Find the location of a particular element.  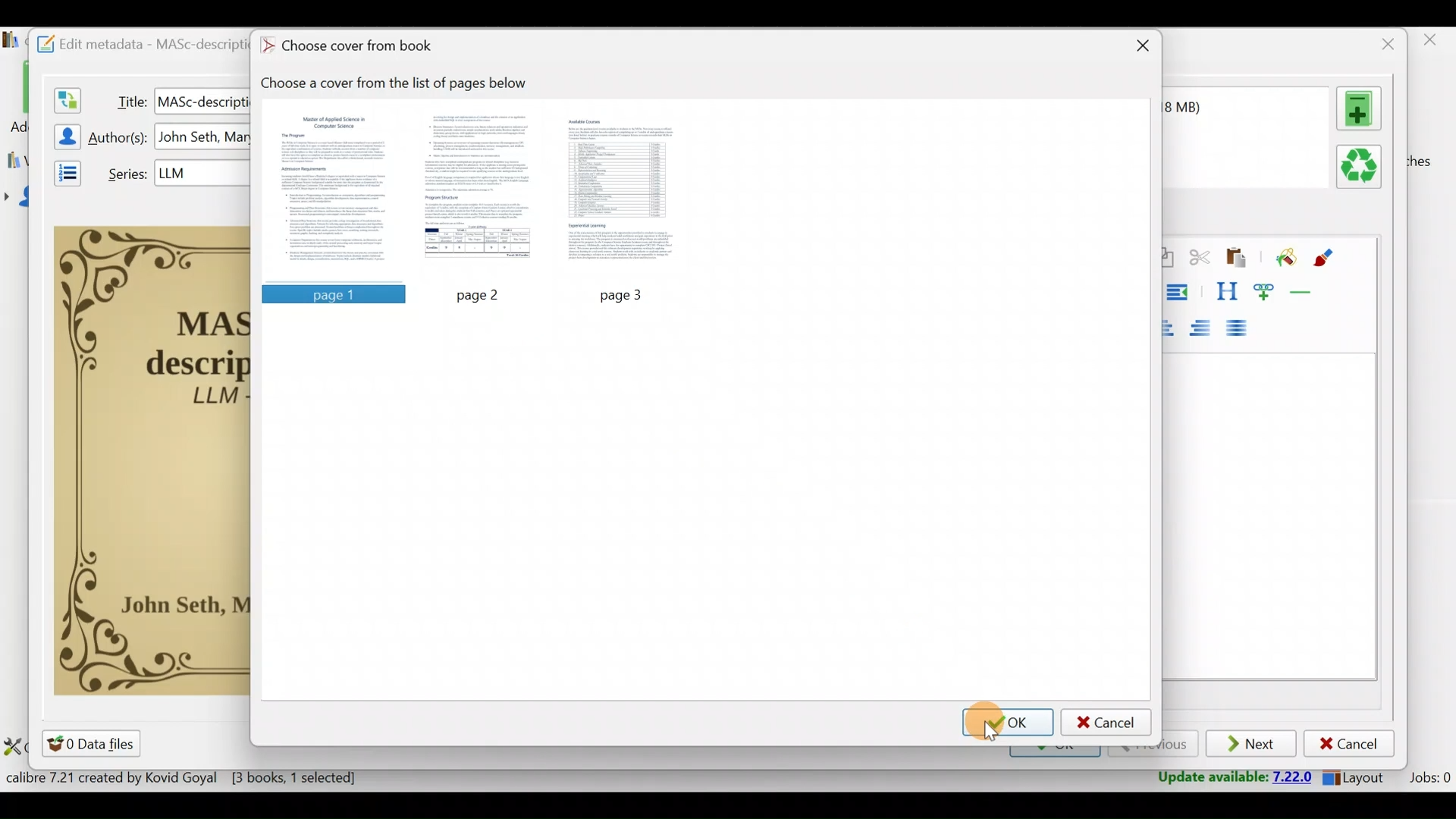

Copy is located at coordinates (1167, 259).